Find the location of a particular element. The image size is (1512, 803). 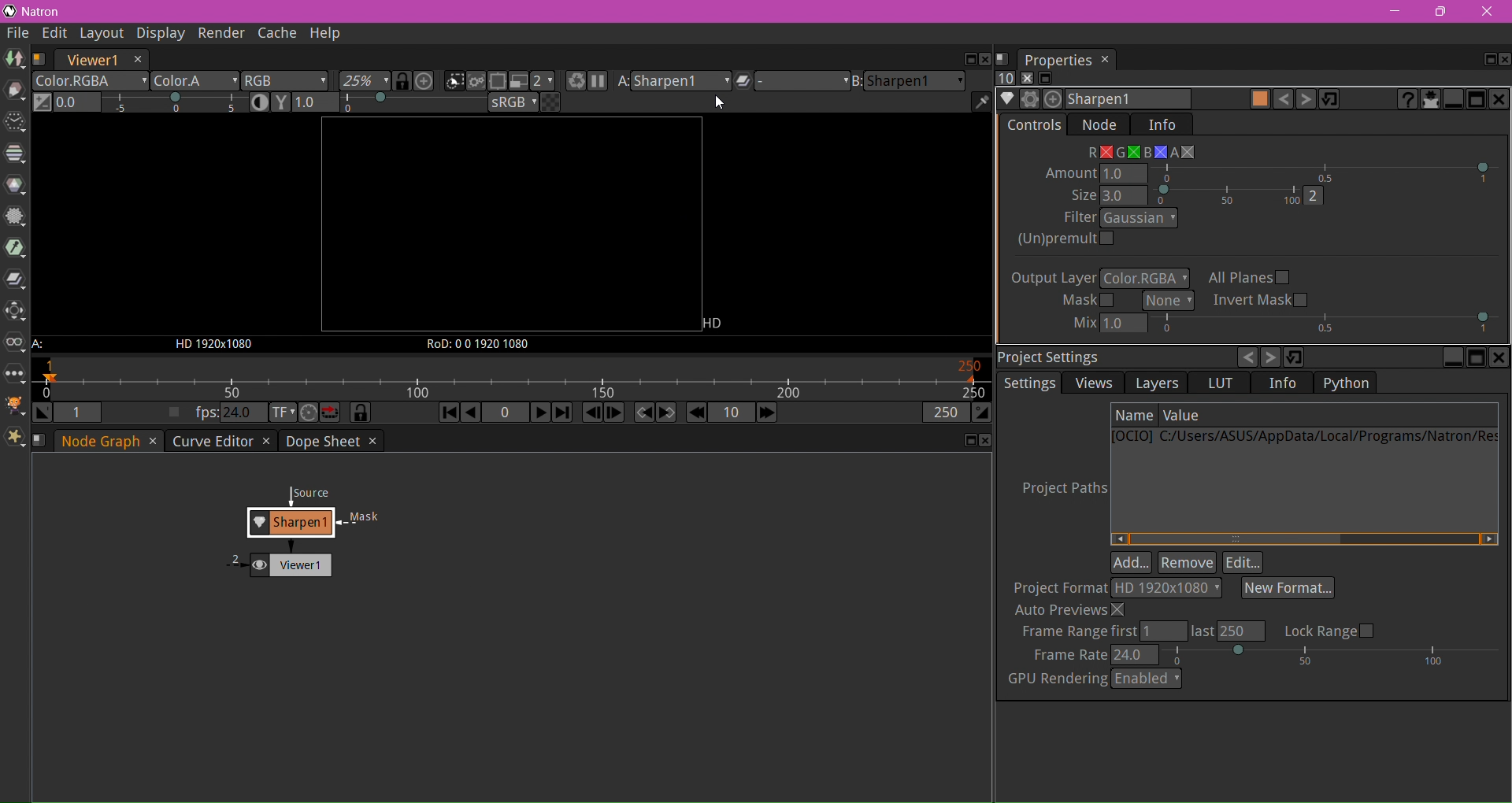

SharpenCImg version 4.0 is located at coordinates (1009, 99).